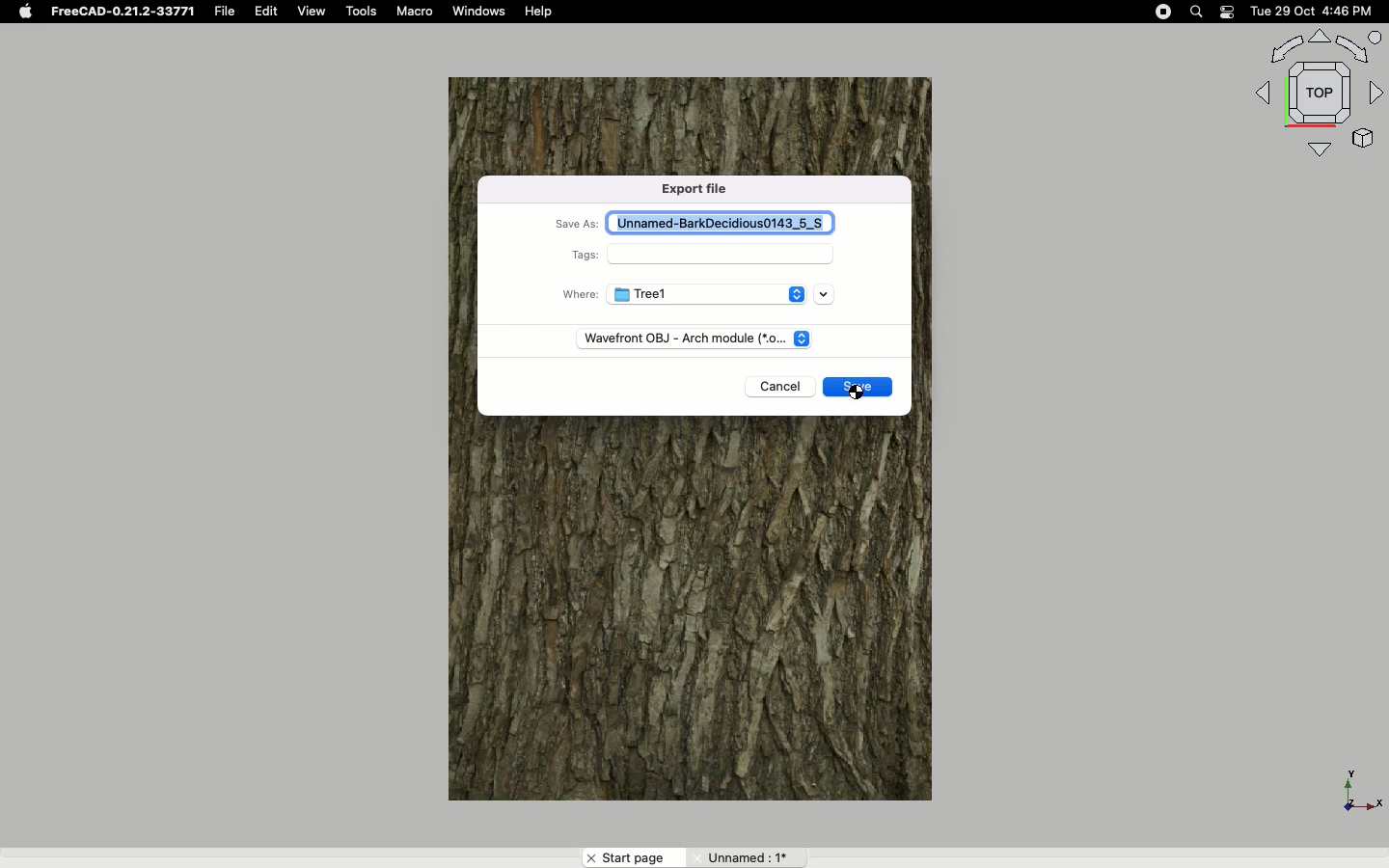 The width and height of the screenshot is (1389, 868). What do you see at coordinates (419, 14) in the screenshot?
I see `Macro` at bounding box center [419, 14].